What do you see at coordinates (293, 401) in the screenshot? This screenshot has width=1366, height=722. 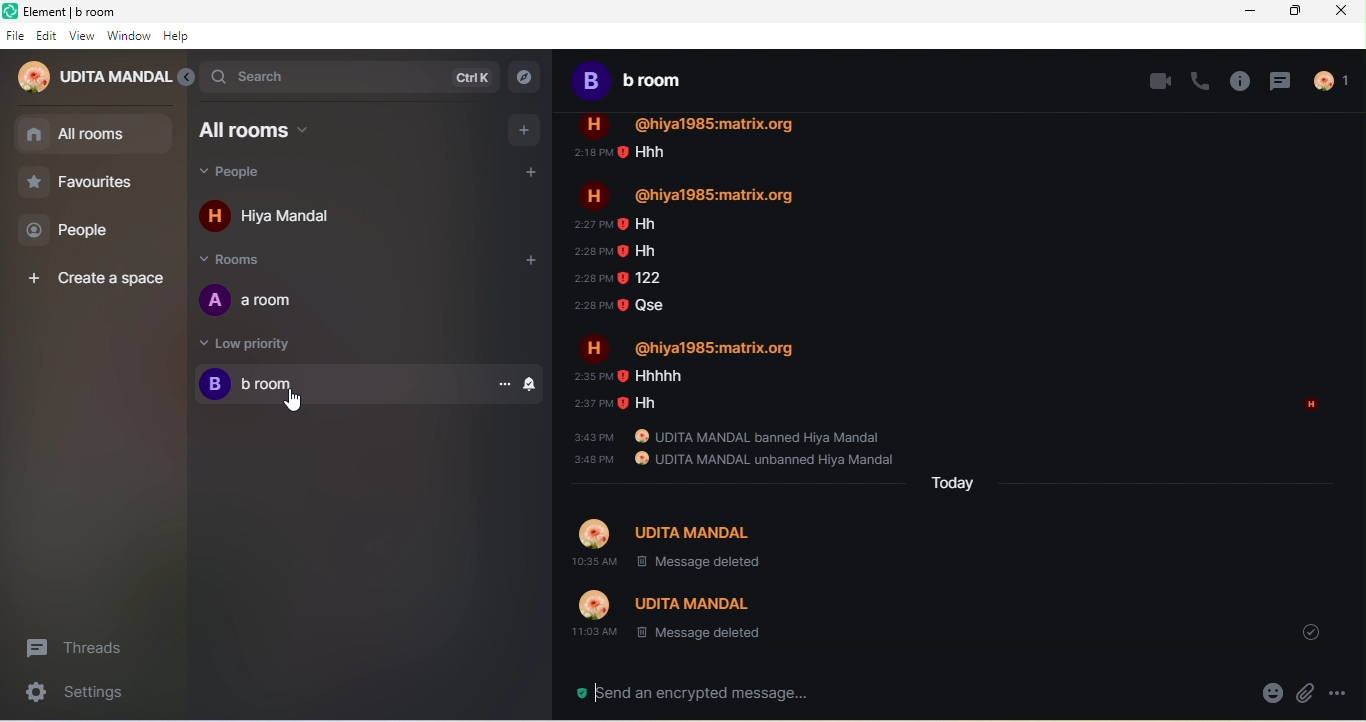 I see `Cursor` at bounding box center [293, 401].